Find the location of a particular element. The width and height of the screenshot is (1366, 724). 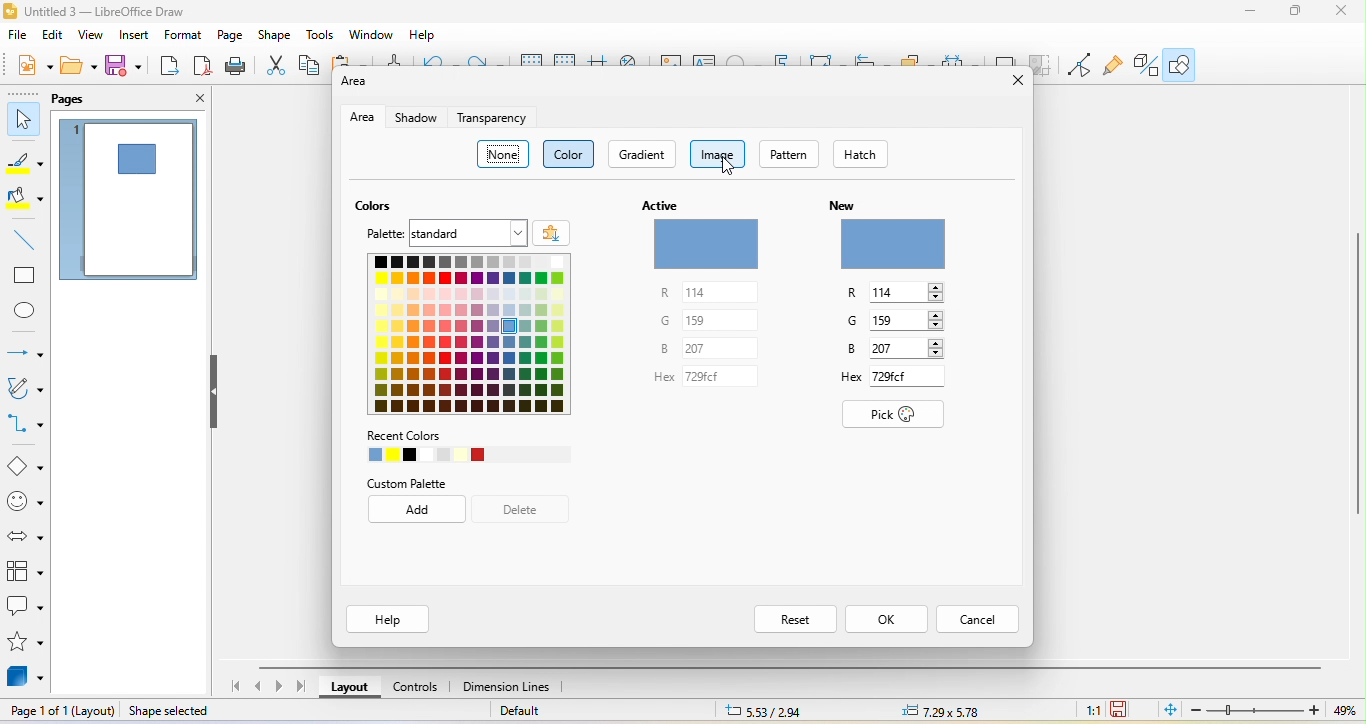

r 114 is located at coordinates (705, 293).